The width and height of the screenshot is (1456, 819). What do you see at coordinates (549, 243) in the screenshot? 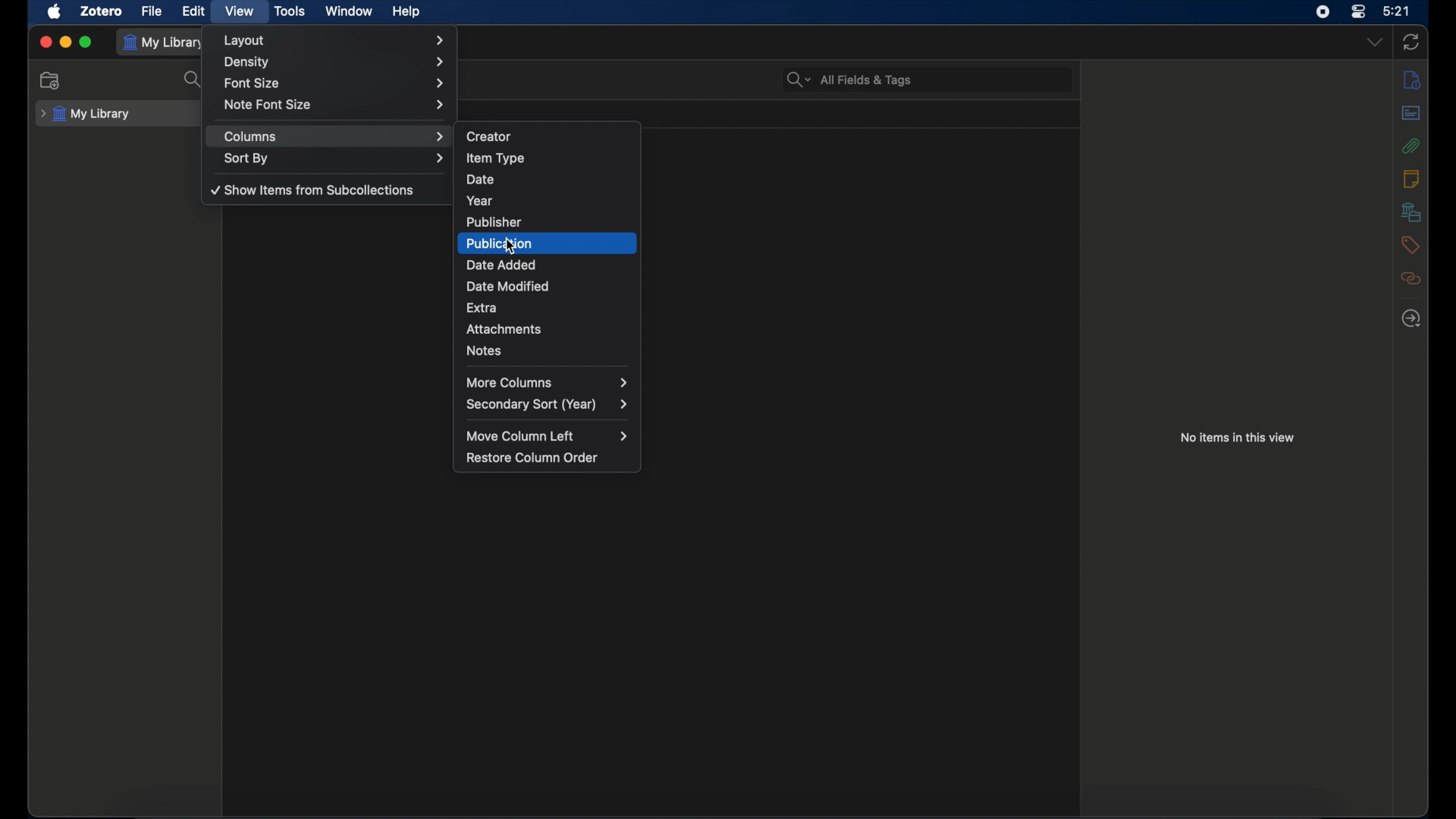
I see `publication` at bounding box center [549, 243].